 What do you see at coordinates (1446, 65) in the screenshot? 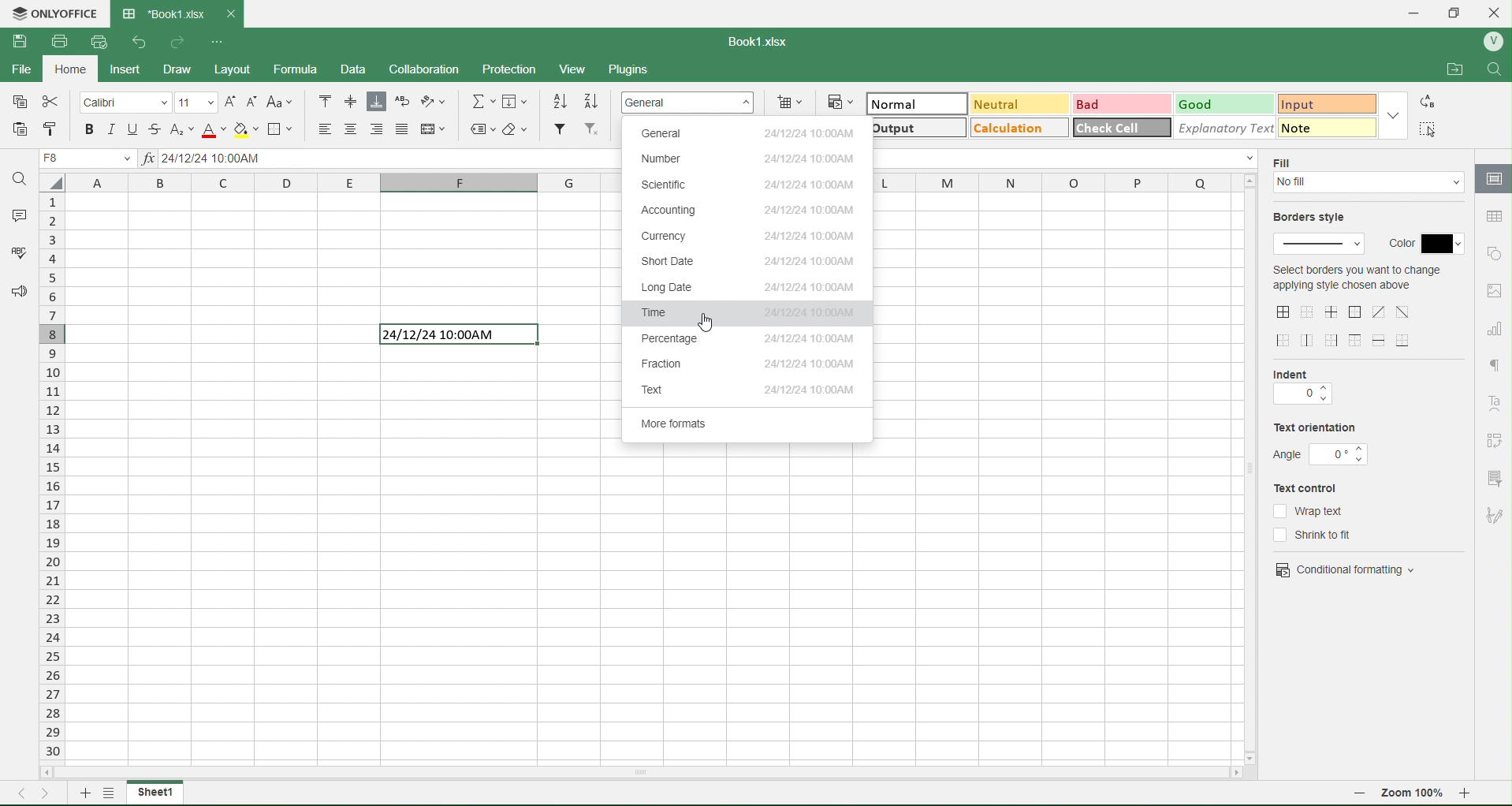
I see `Open File Location` at bounding box center [1446, 65].